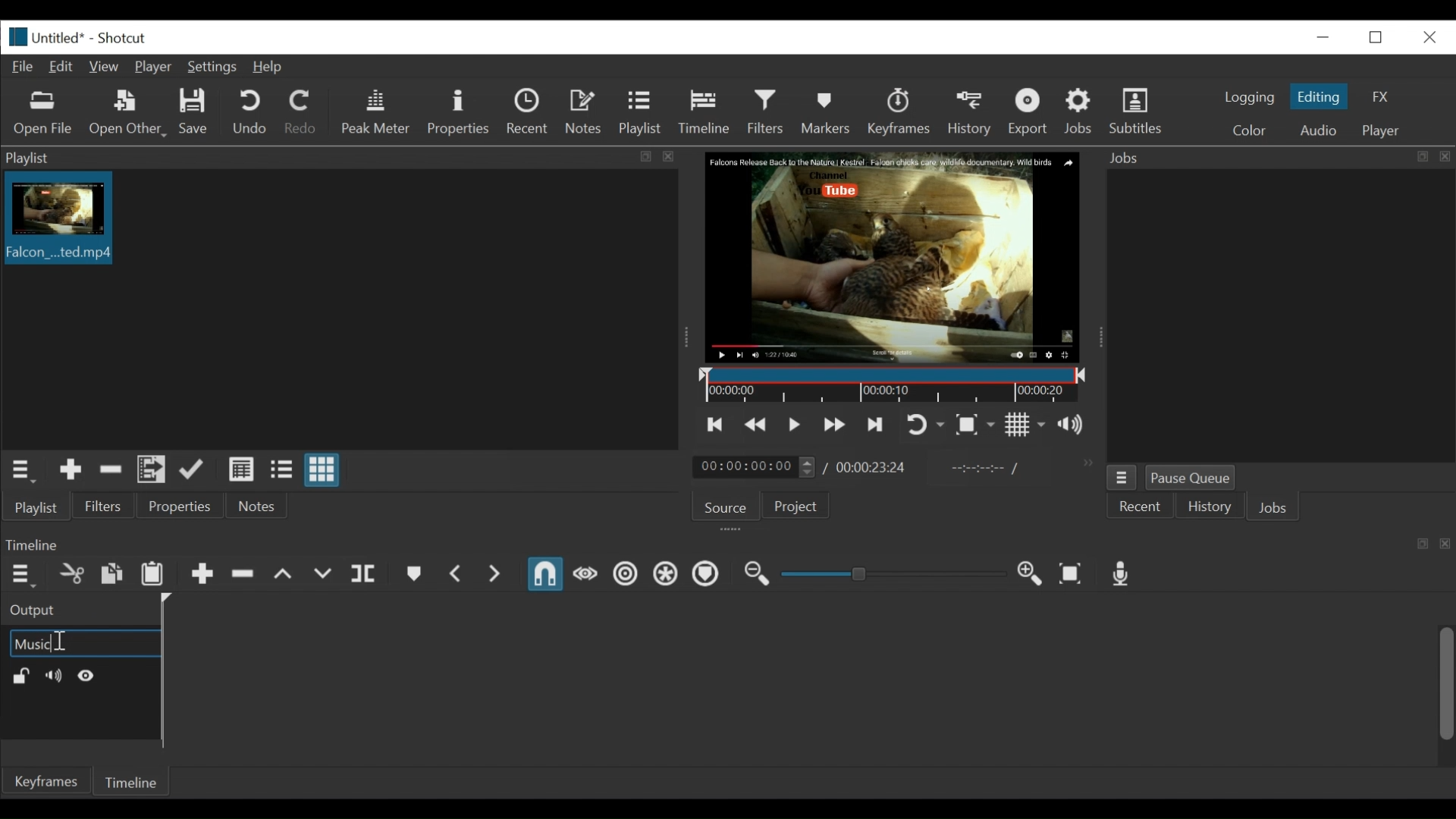 Image resolution: width=1456 pixels, height=819 pixels. What do you see at coordinates (972, 114) in the screenshot?
I see `History` at bounding box center [972, 114].